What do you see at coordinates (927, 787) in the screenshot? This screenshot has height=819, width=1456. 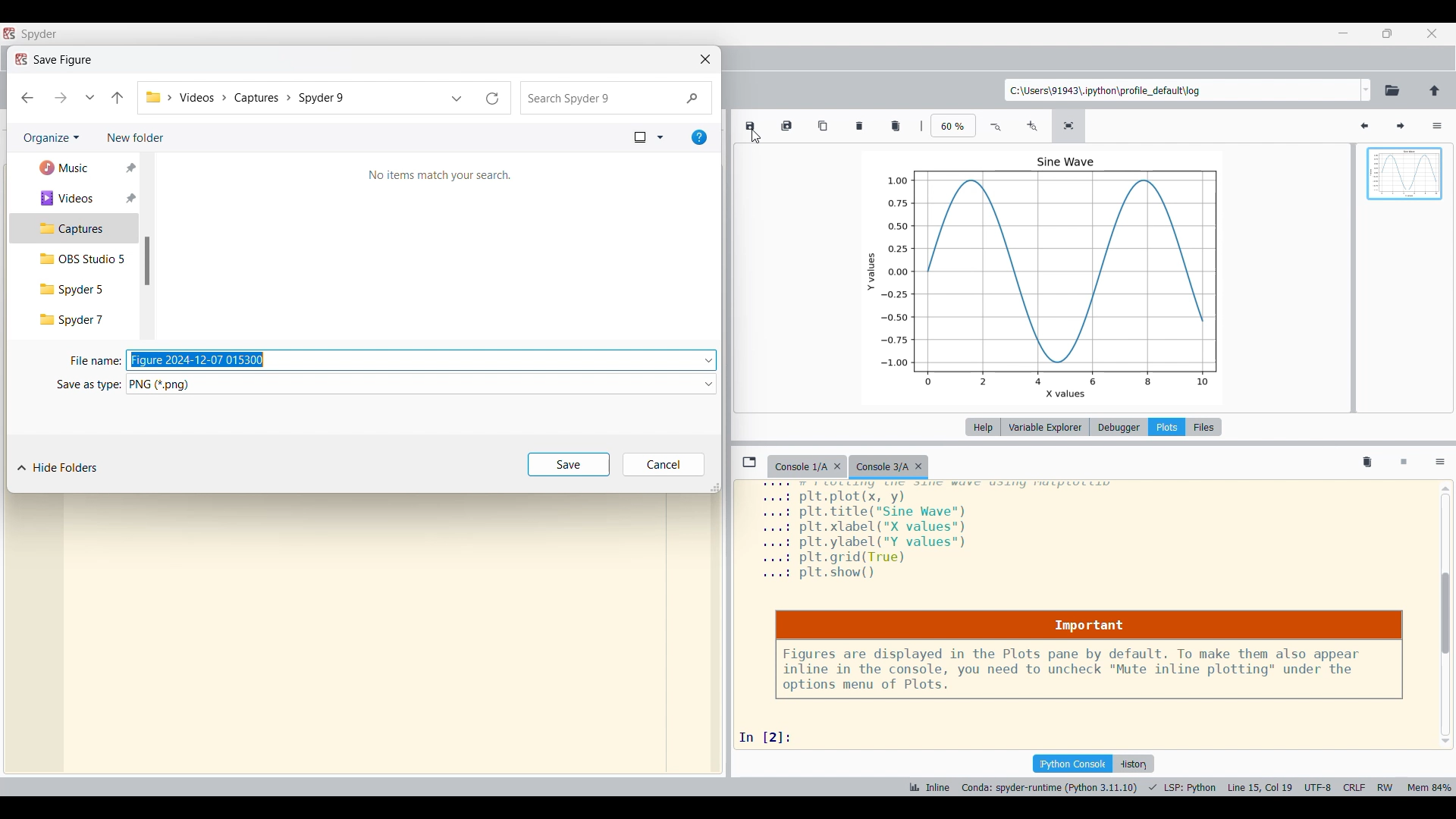 I see `INLINE` at bounding box center [927, 787].